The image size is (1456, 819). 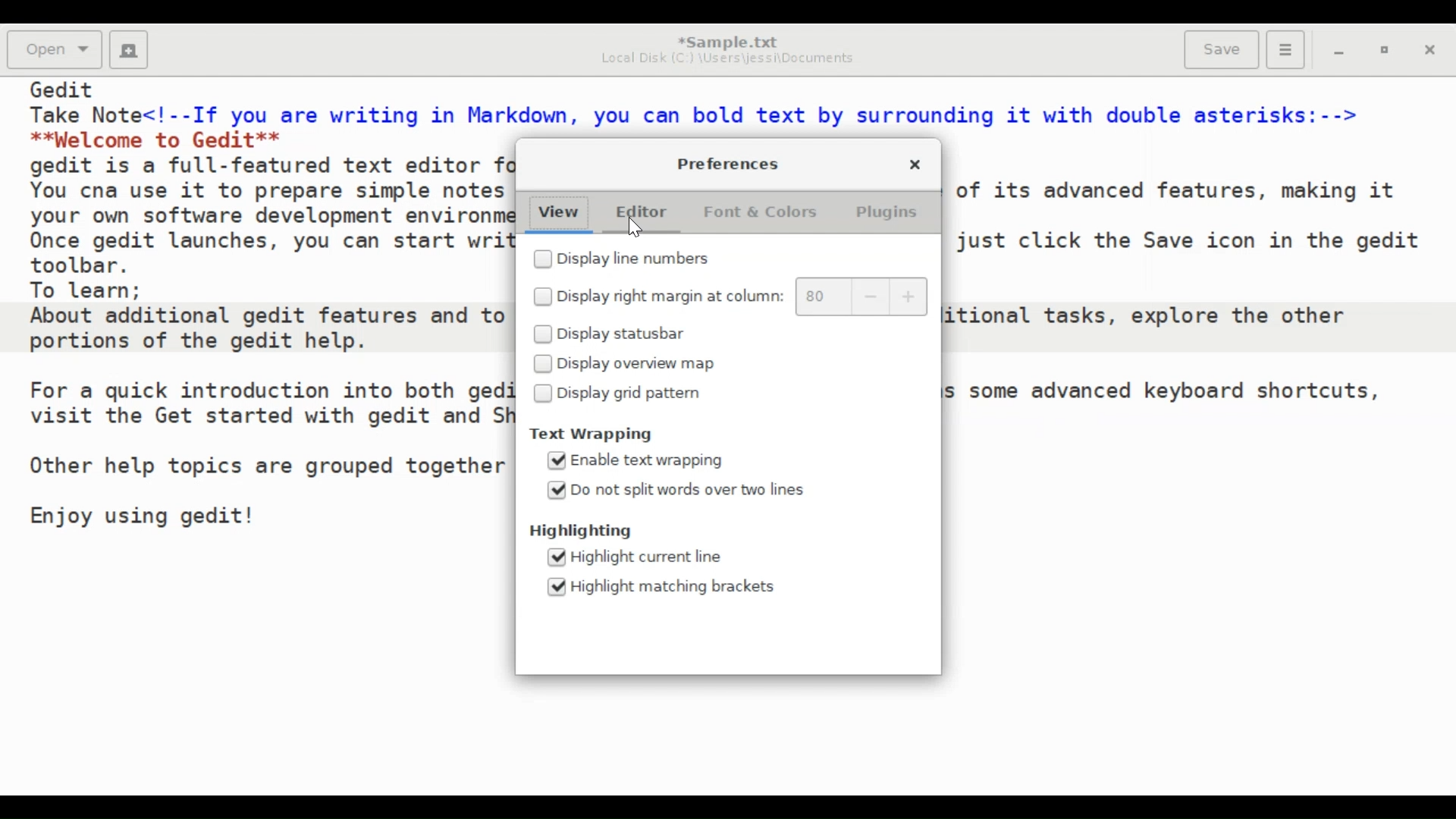 What do you see at coordinates (657, 297) in the screenshot?
I see `(un)select Display right margin at column` at bounding box center [657, 297].